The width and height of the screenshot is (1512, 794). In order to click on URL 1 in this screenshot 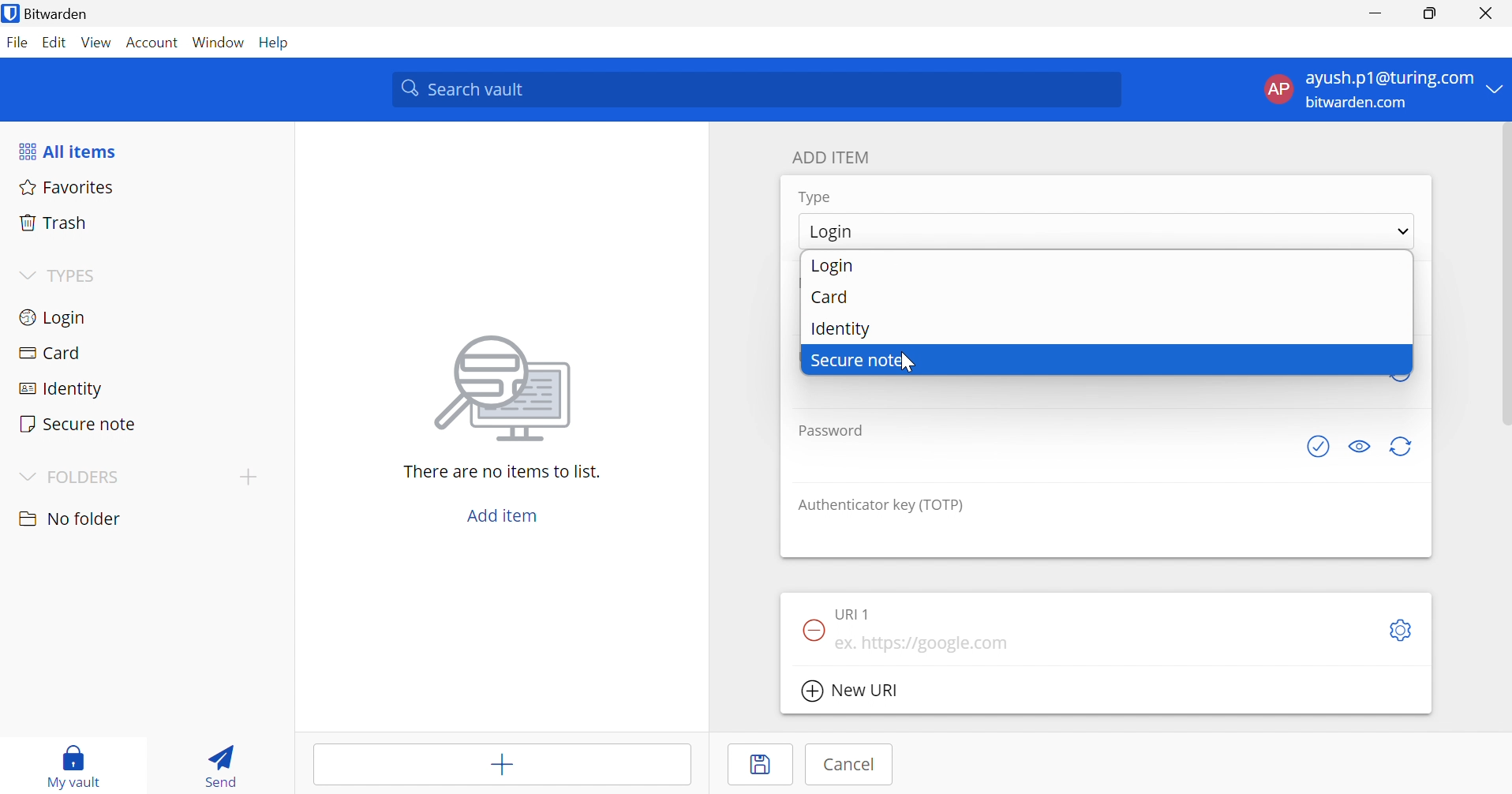, I will do `click(858, 613)`.